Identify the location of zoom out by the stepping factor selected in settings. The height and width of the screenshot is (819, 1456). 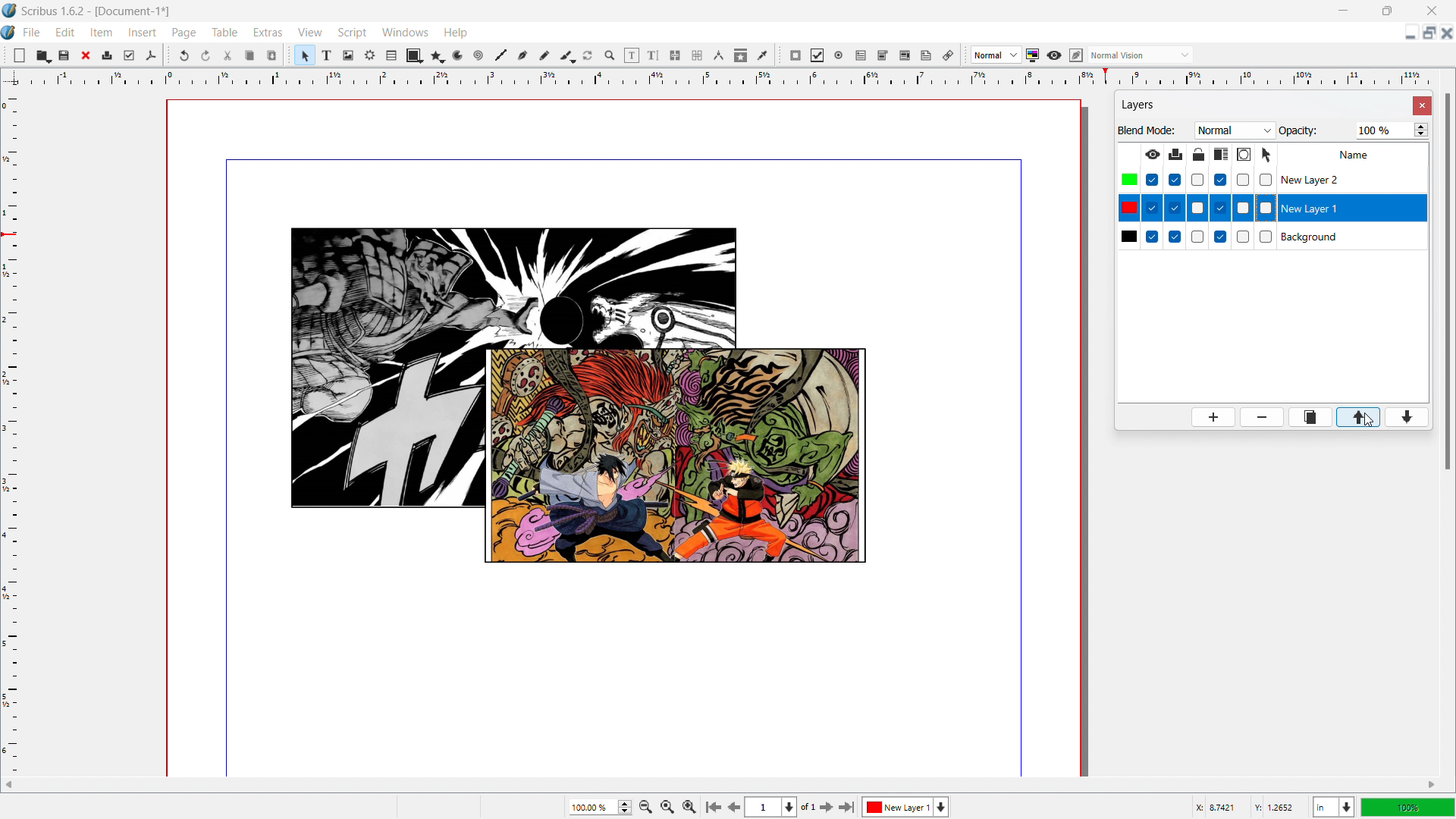
(645, 806).